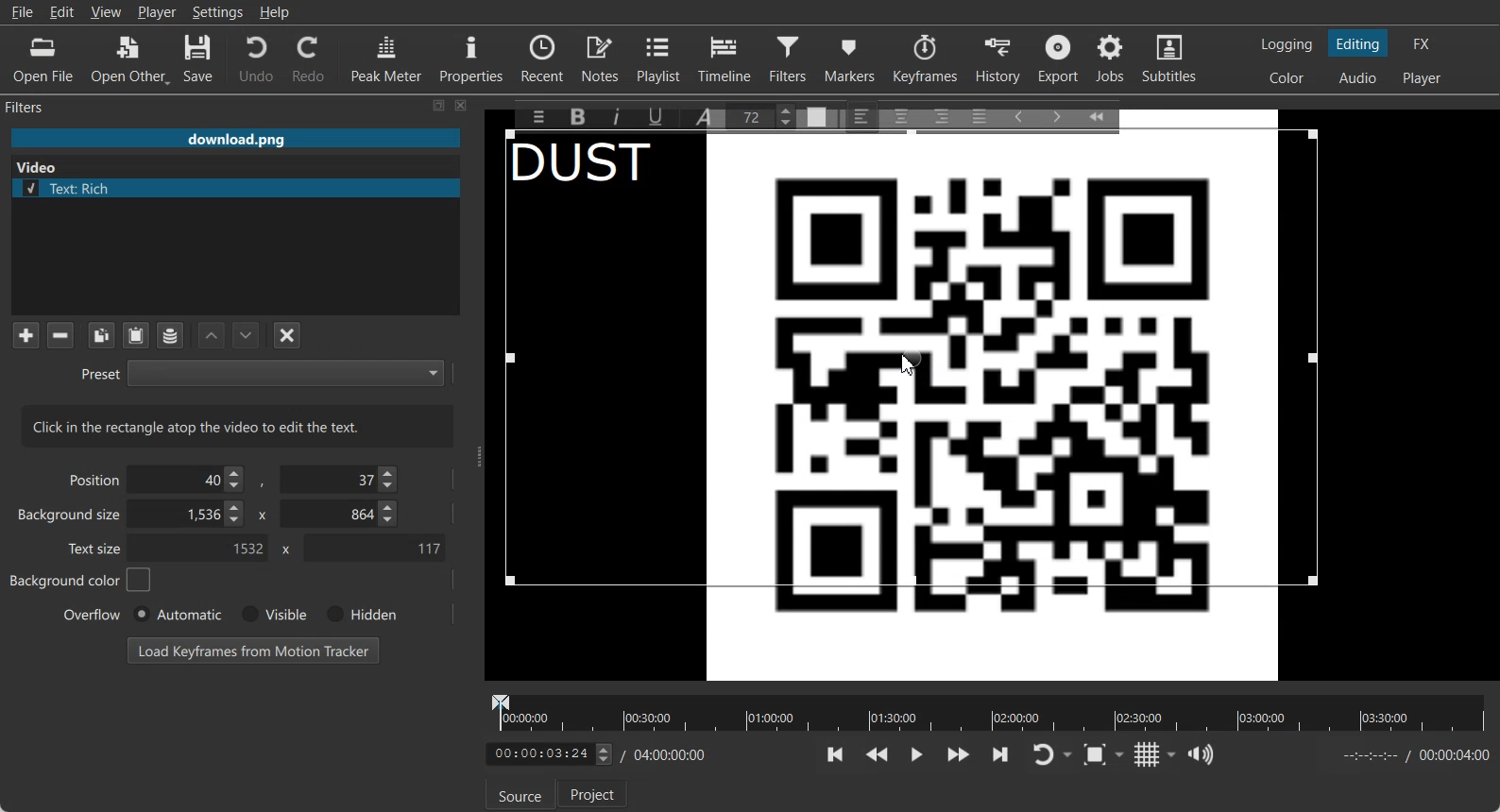  I want to click on Save a filter set, so click(169, 336).